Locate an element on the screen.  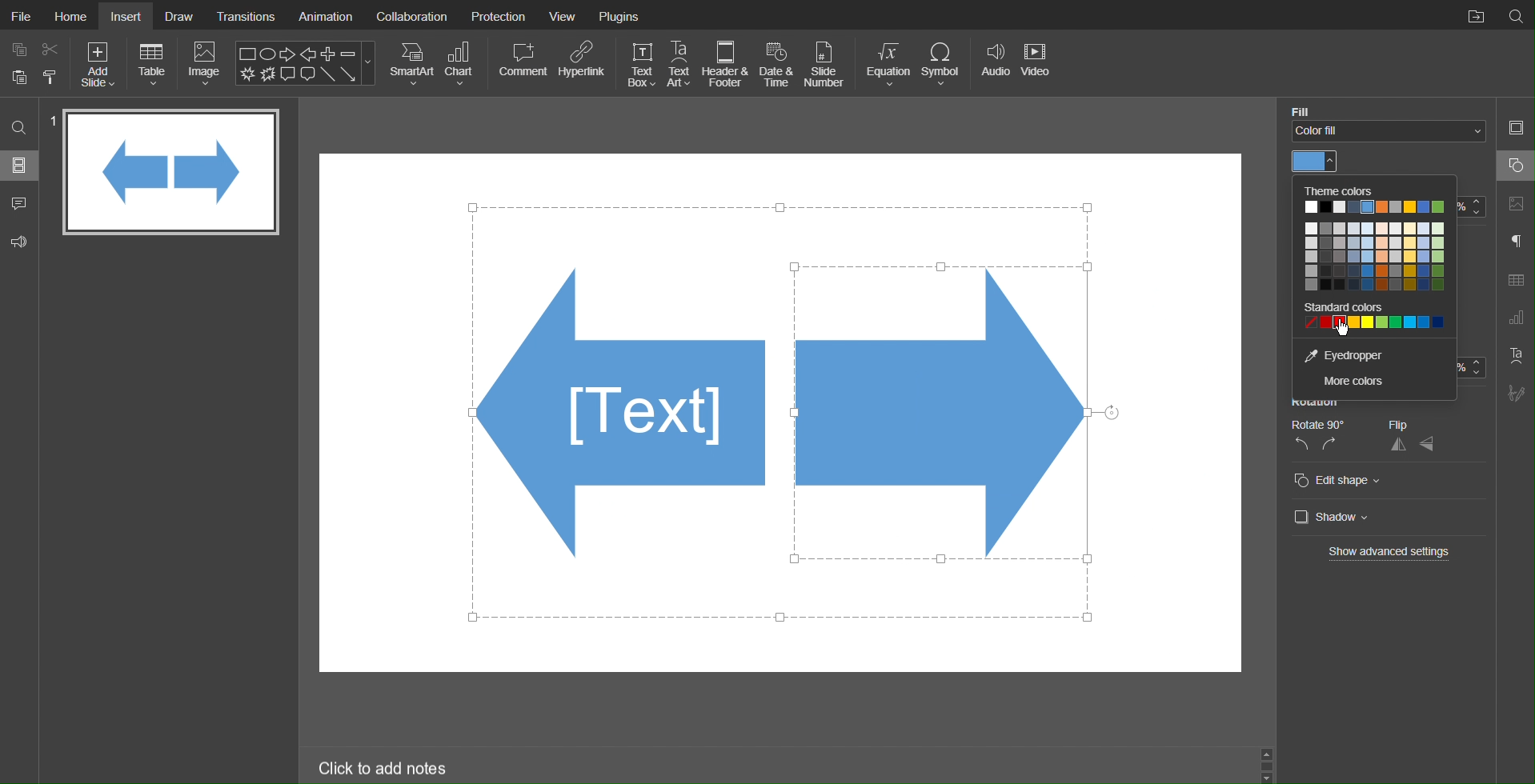
Comment  is located at coordinates (522, 64).